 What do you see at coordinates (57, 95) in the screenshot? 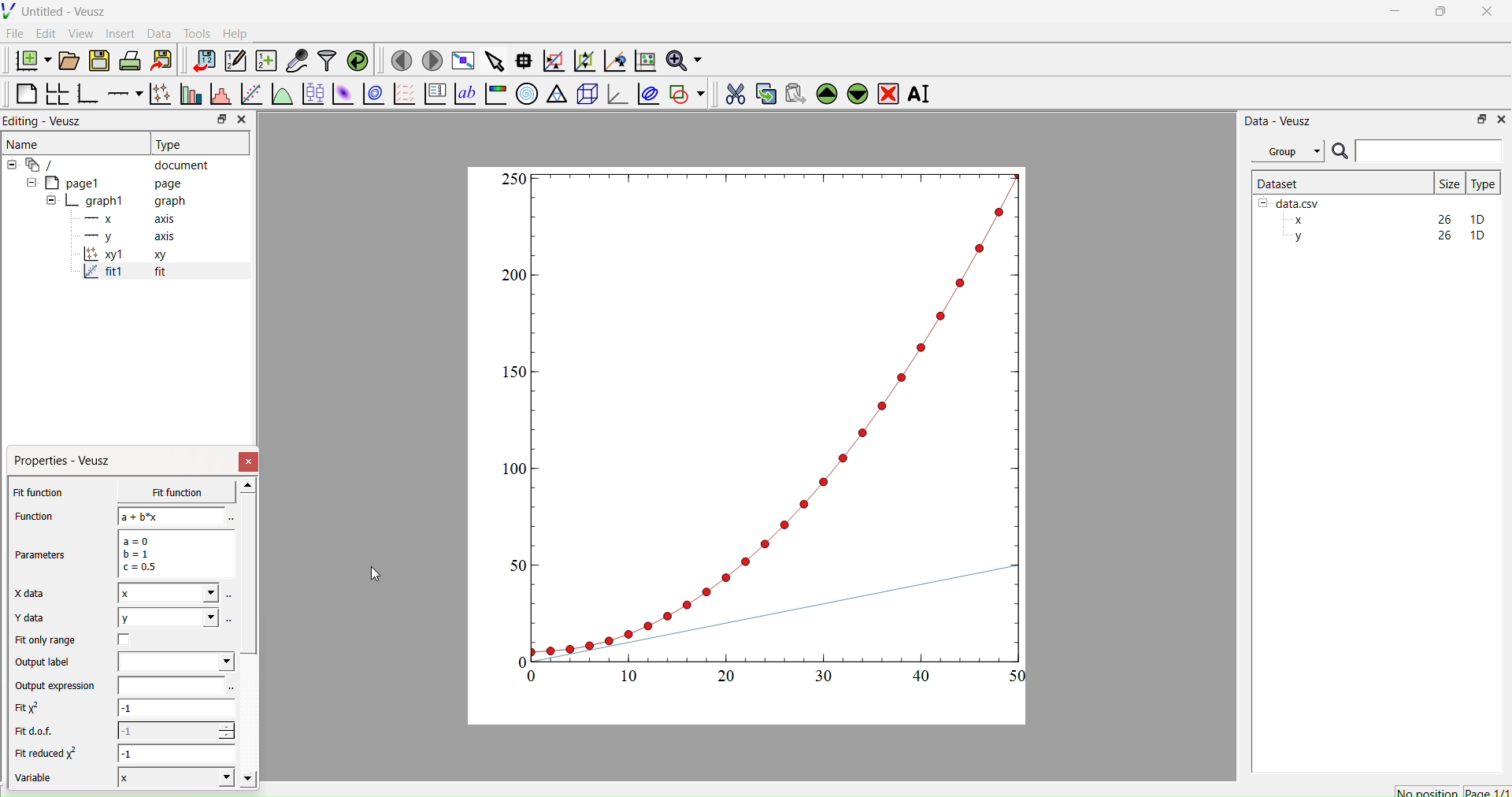
I see `Arrange graphs in grid` at bounding box center [57, 95].